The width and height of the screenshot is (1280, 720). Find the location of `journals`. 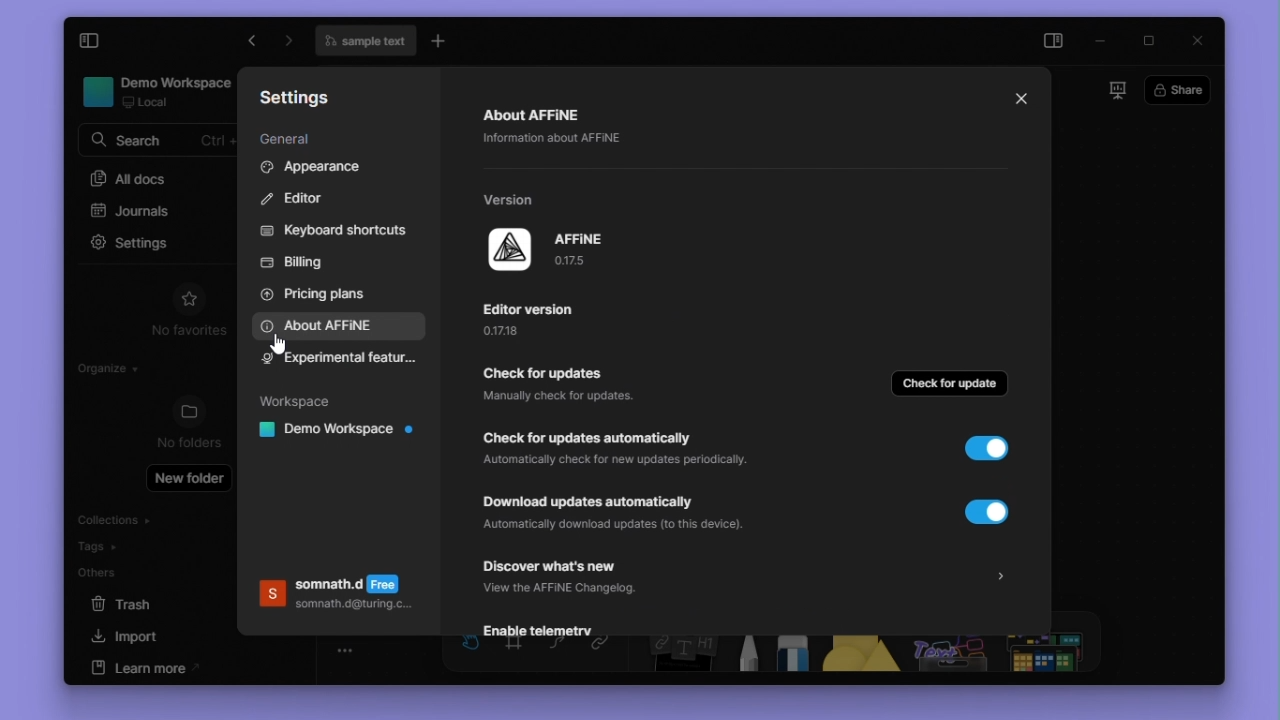

journals is located at coordinates (152, 212).